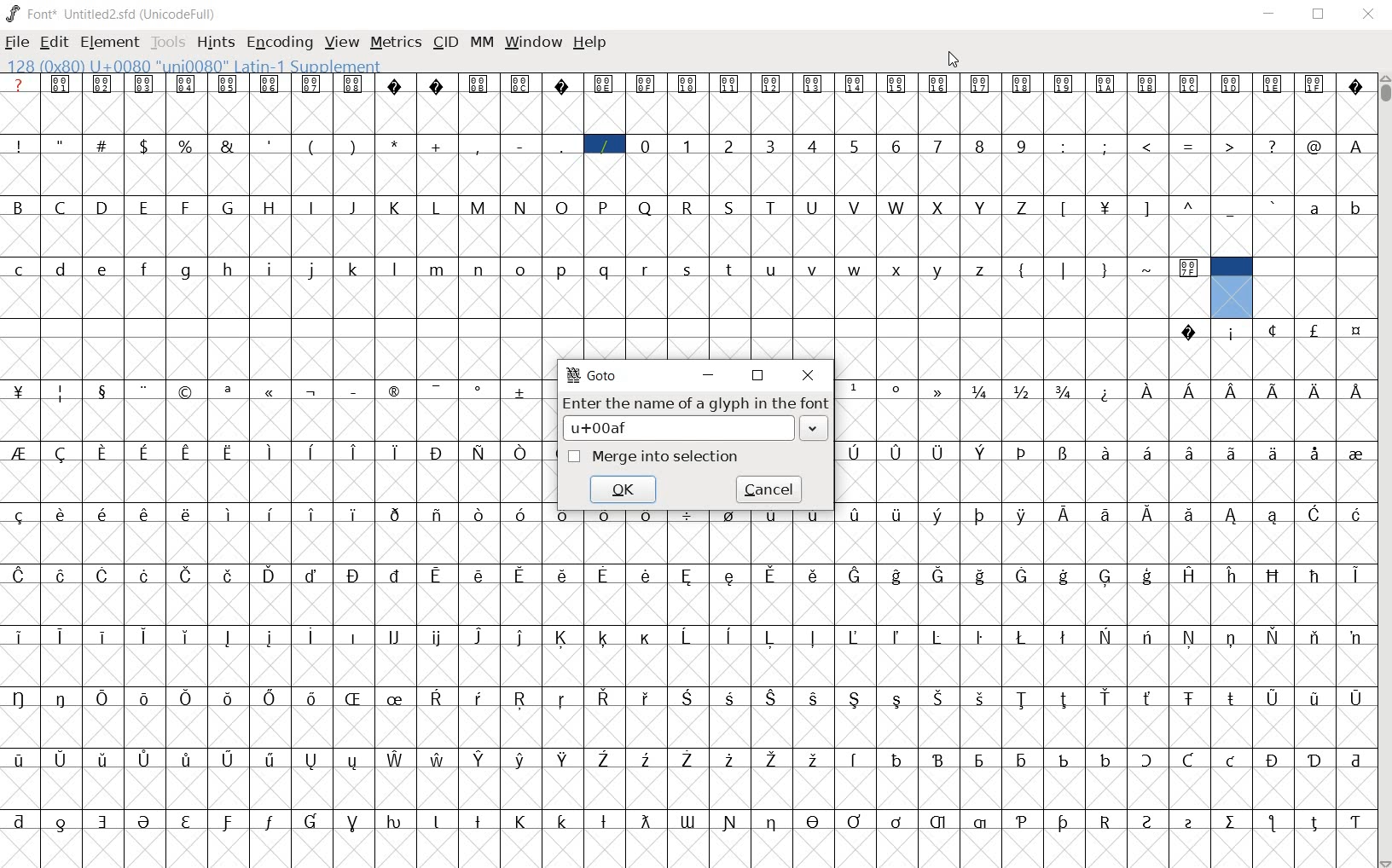 Image resolution: width=1392 pixels, height=868 pixels. What do you see at coordinates (983, 514) in the screenshot?
I see `Symbol` at bounding box center [983, 514].